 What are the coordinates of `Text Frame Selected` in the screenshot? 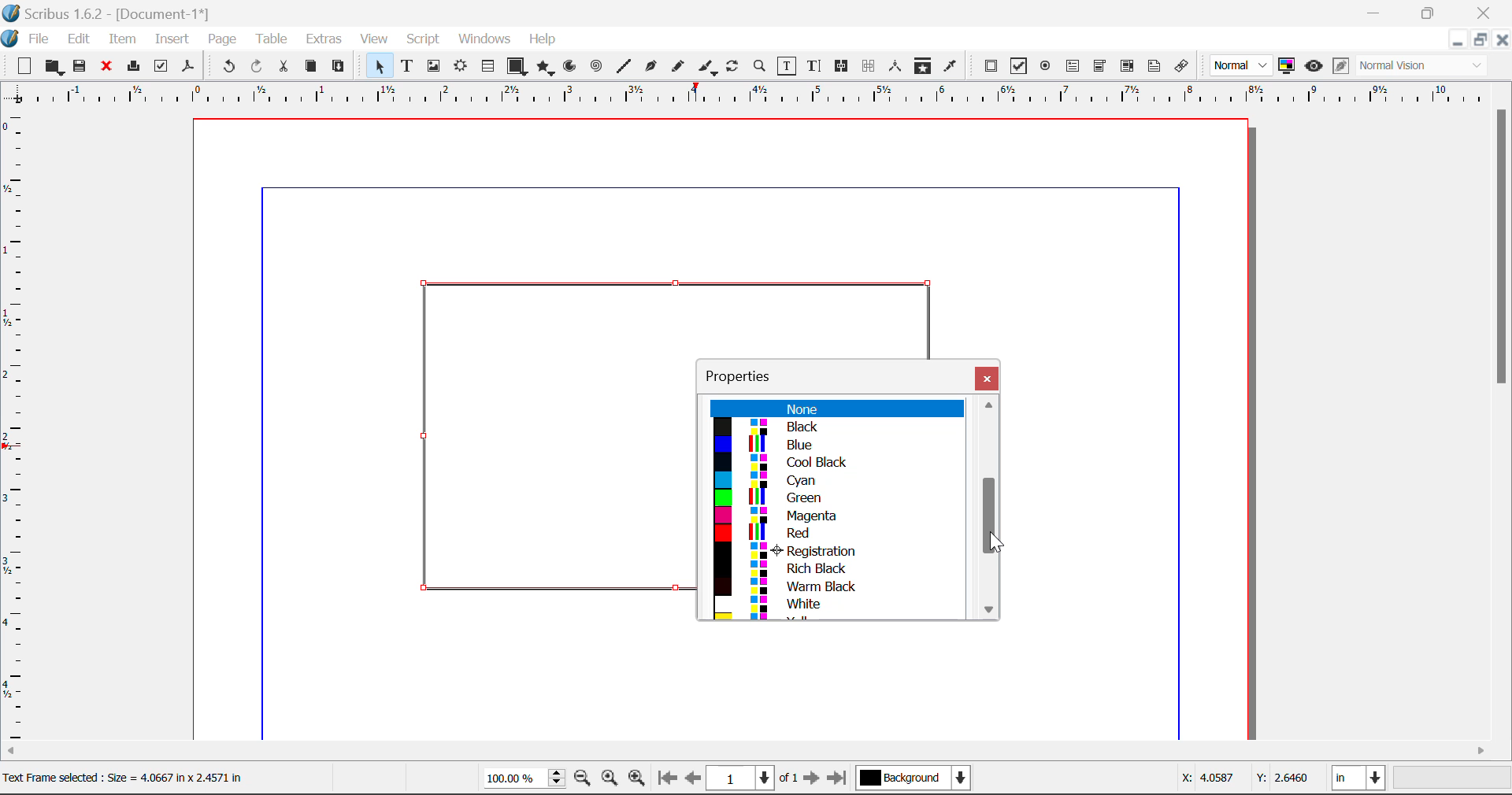 It's located at (406, 65).